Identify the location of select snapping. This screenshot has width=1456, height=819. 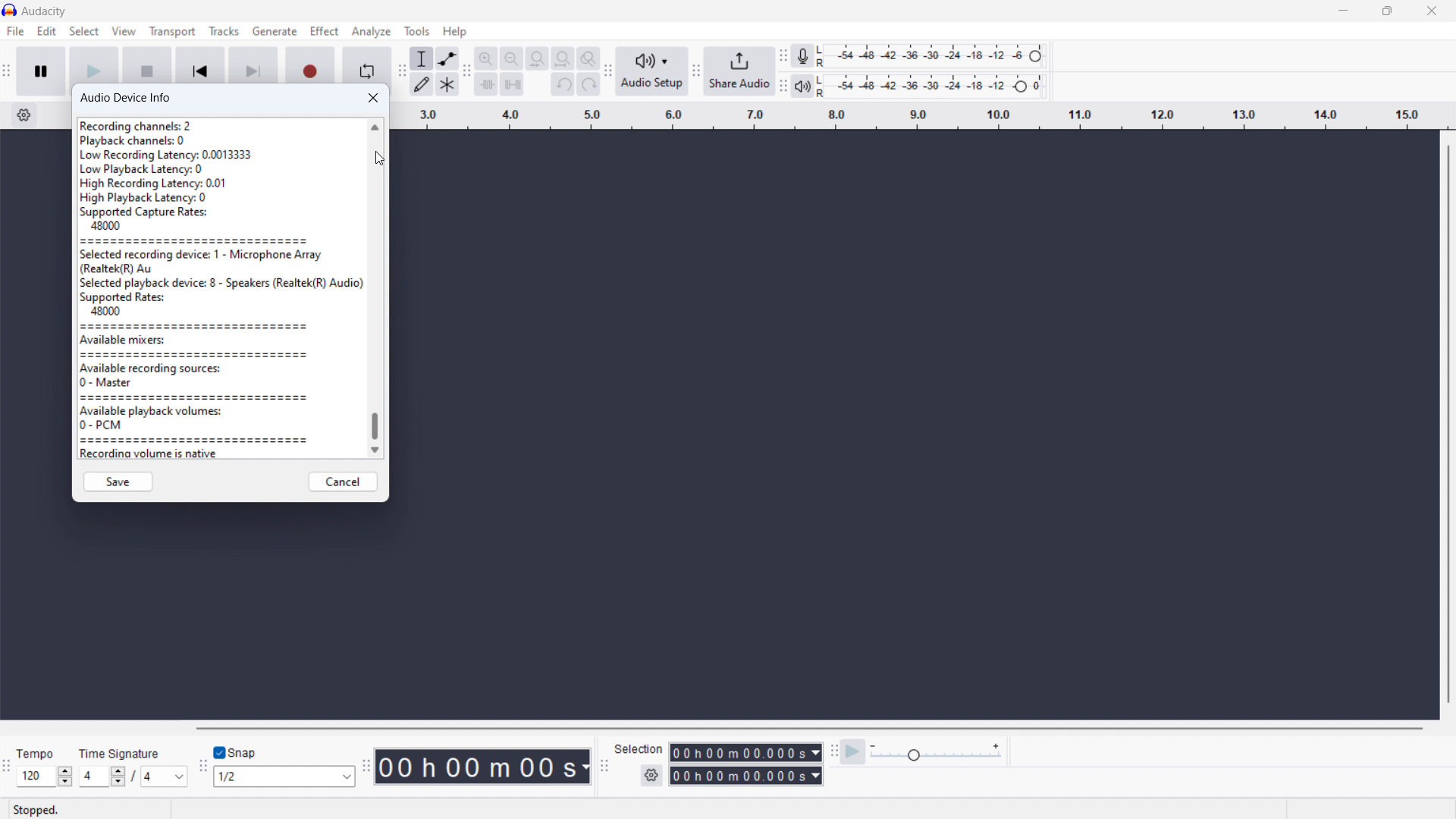
(284, 777).